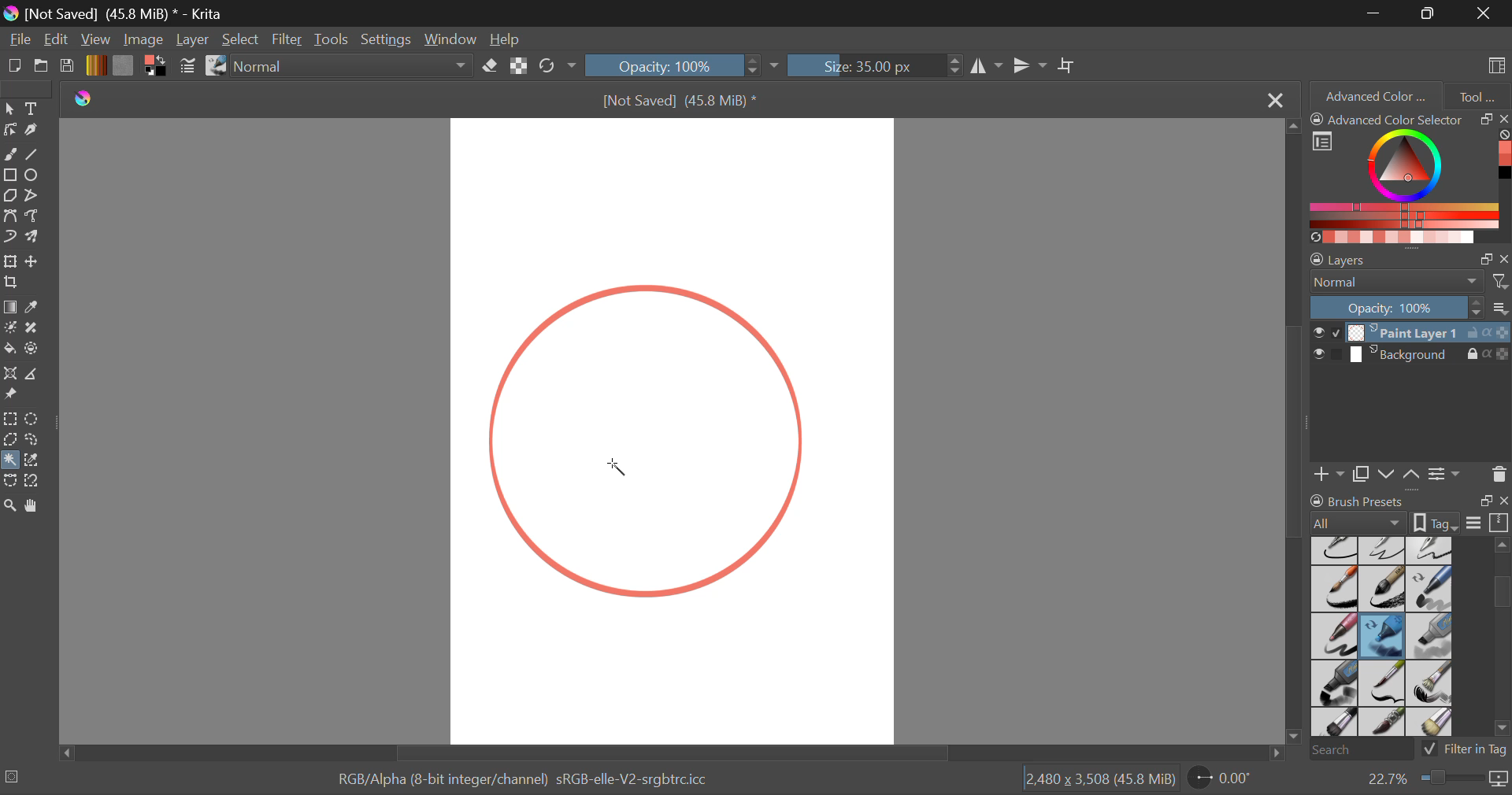 The image size is (1512, 795). I want to click on Multibrush Tool, so click(37, 238).